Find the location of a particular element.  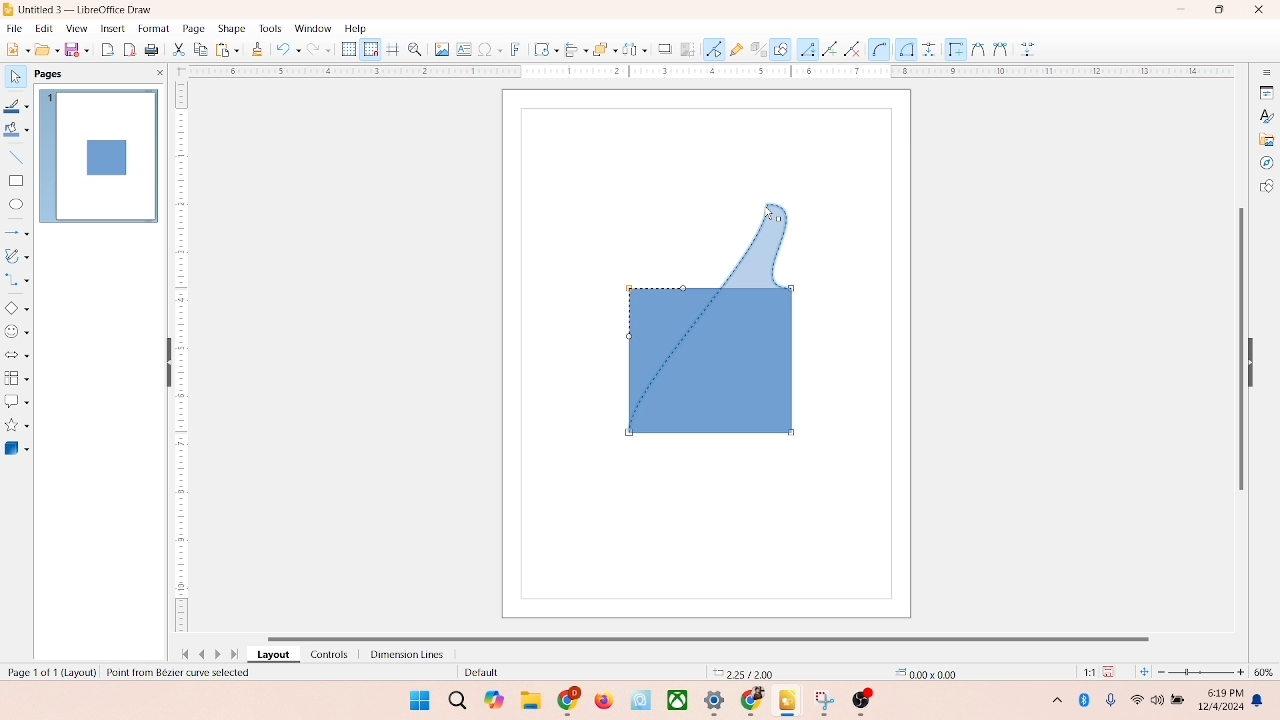

redo is located at coordinates (323, 51).